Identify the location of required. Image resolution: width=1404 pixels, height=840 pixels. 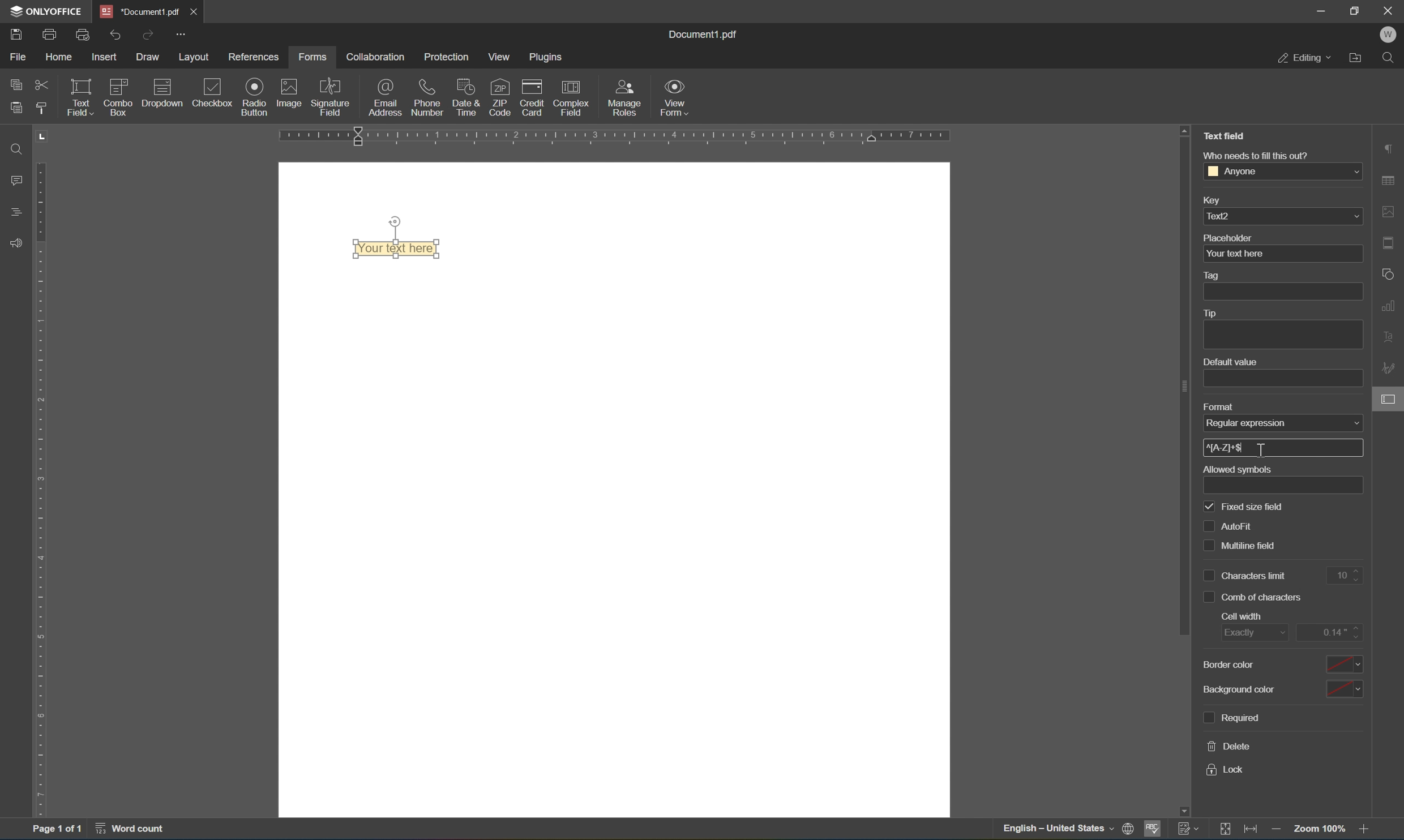
(1236, 719).